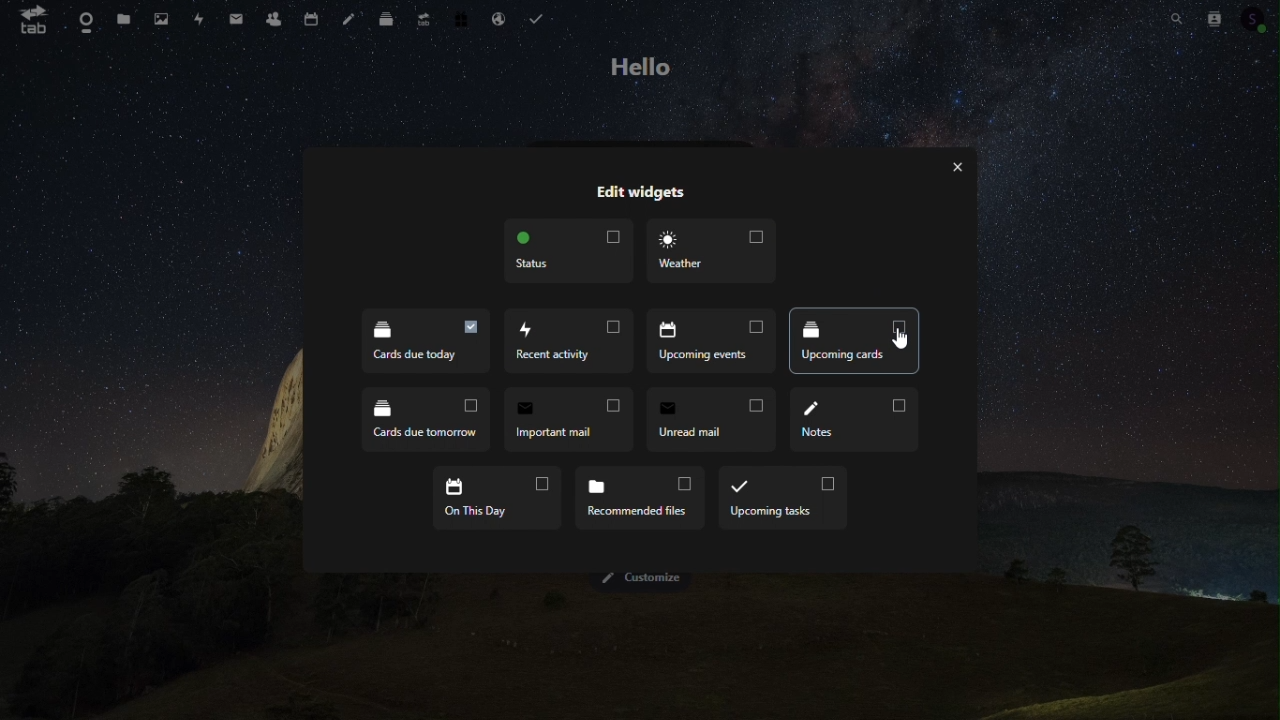 This screenshot has width=1280, height=720. What do you see at coordinates (1171, 20) in the screenshot?
I see `Search` at bounding box center [1171, 20].